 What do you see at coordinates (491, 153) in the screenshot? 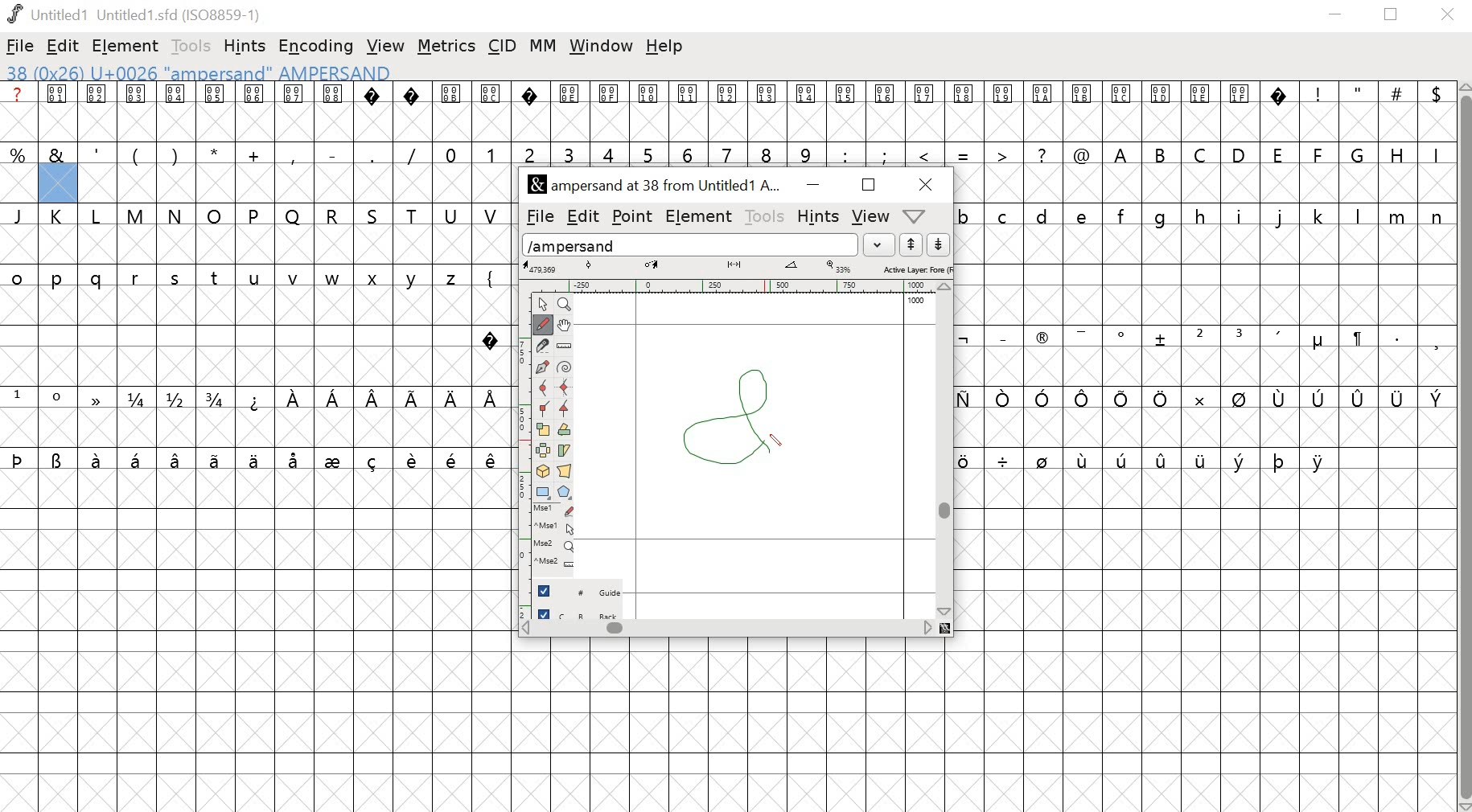
I see `1` at bounding box center [491, 153].